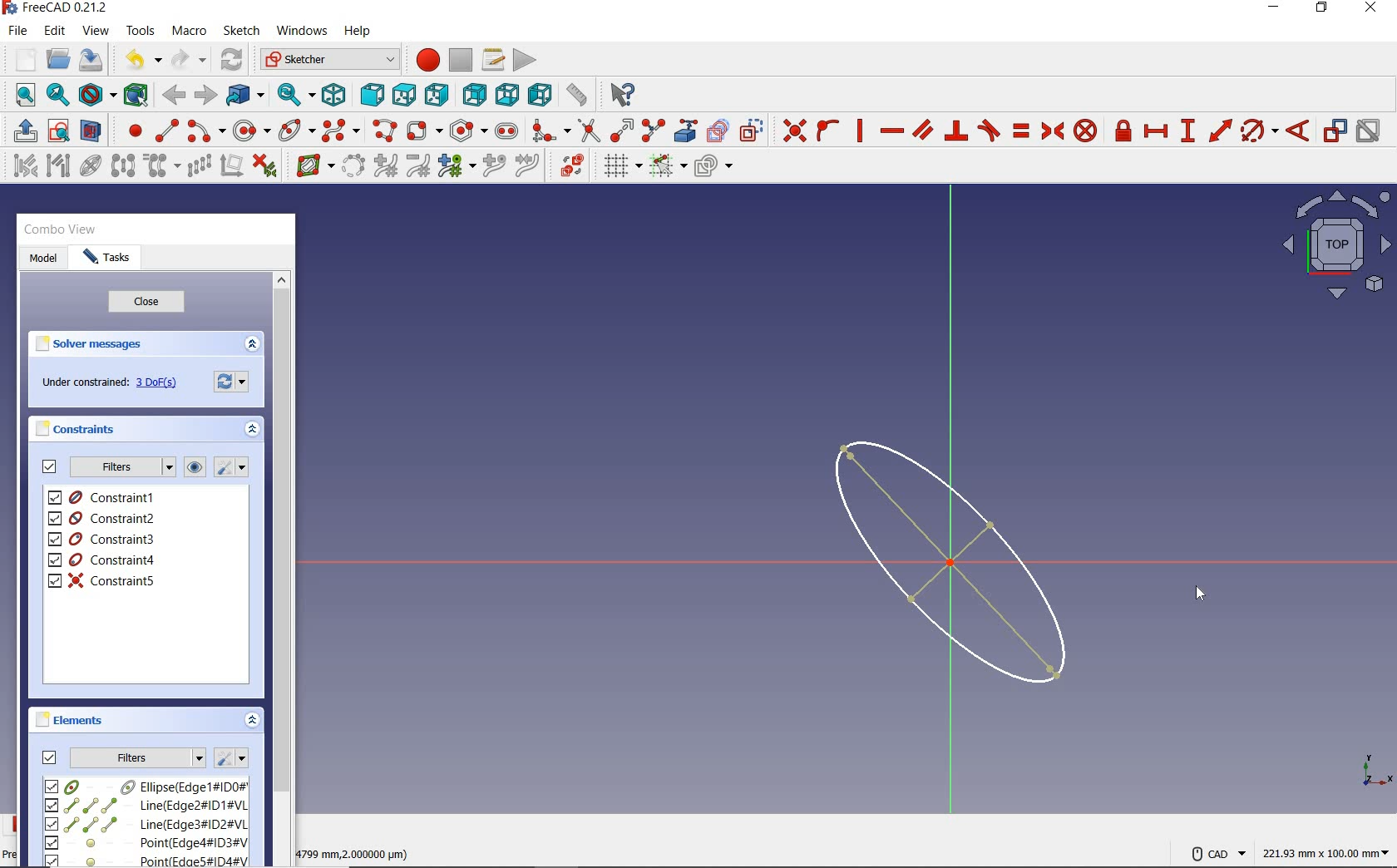  I want to click on macros, so click(491, 58).